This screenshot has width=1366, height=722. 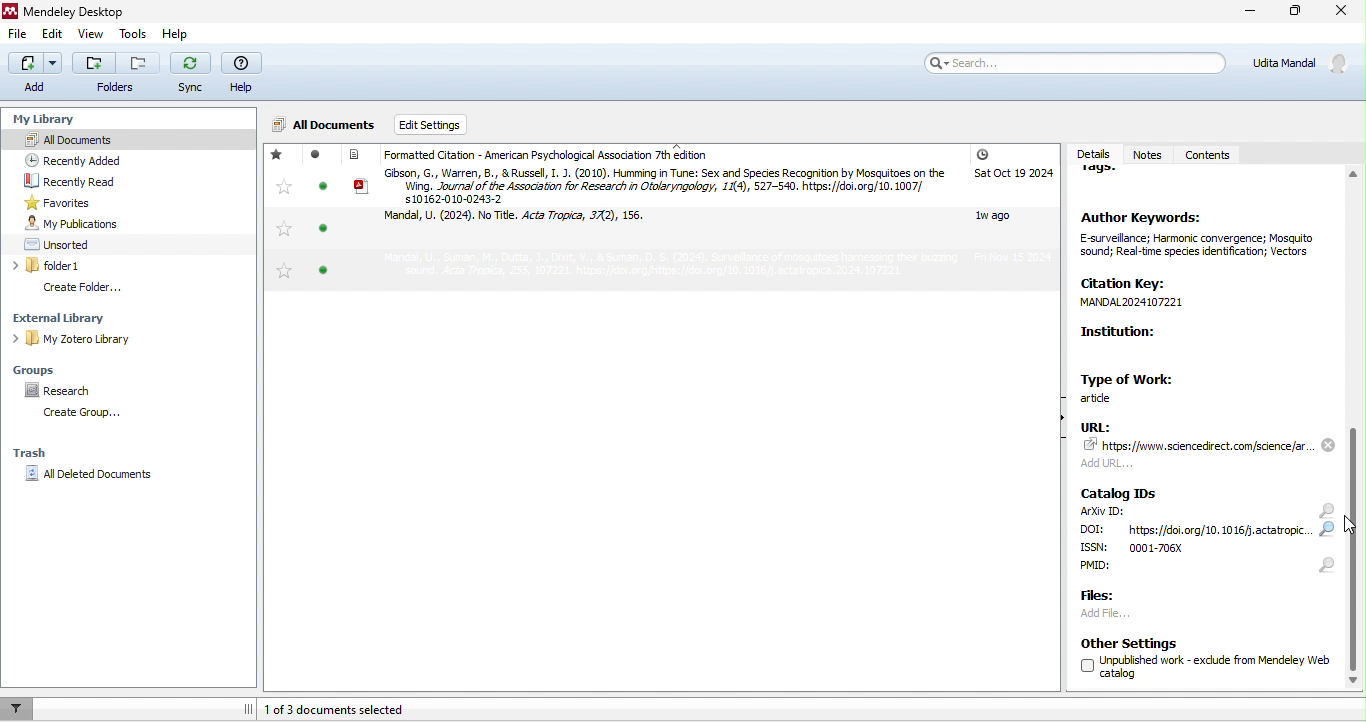 What do you see at coordinates (1197, 659) in the screenshot?
I see `Other Settings
() Unpublished work -exchude from Mendeley Web
catalog` at bounding box center [1197, 659].